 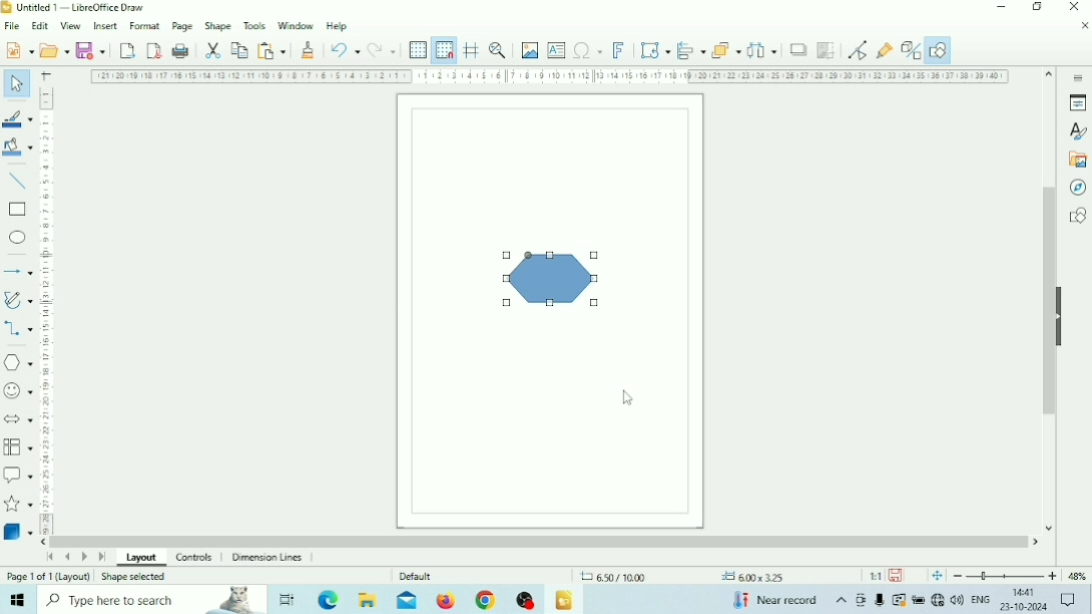 What do you see at coordinates (40, 26) in the screenshot?
I see `Edit` at bounding box center [40, 26].